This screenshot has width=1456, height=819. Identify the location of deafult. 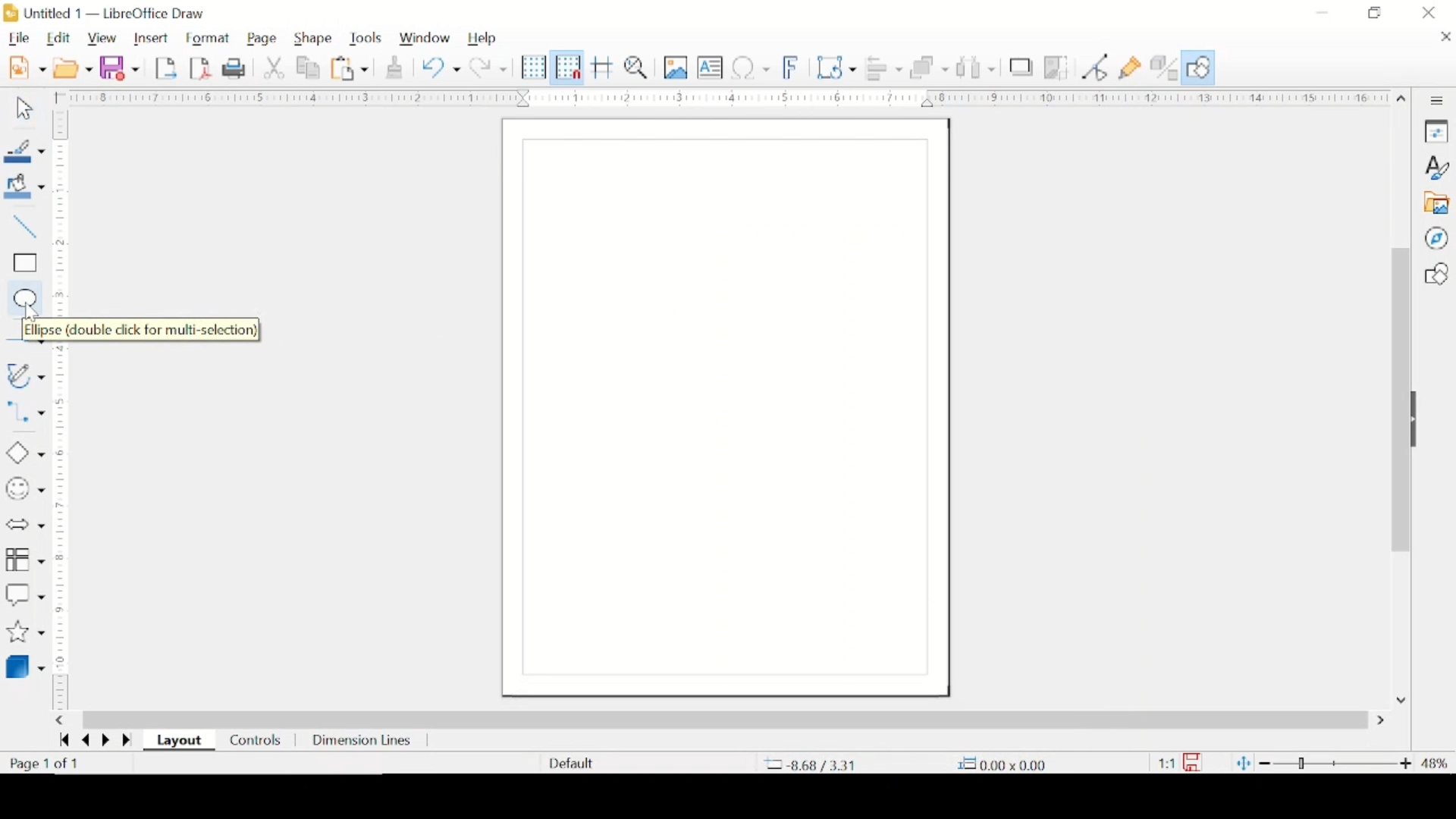
(569, 764).